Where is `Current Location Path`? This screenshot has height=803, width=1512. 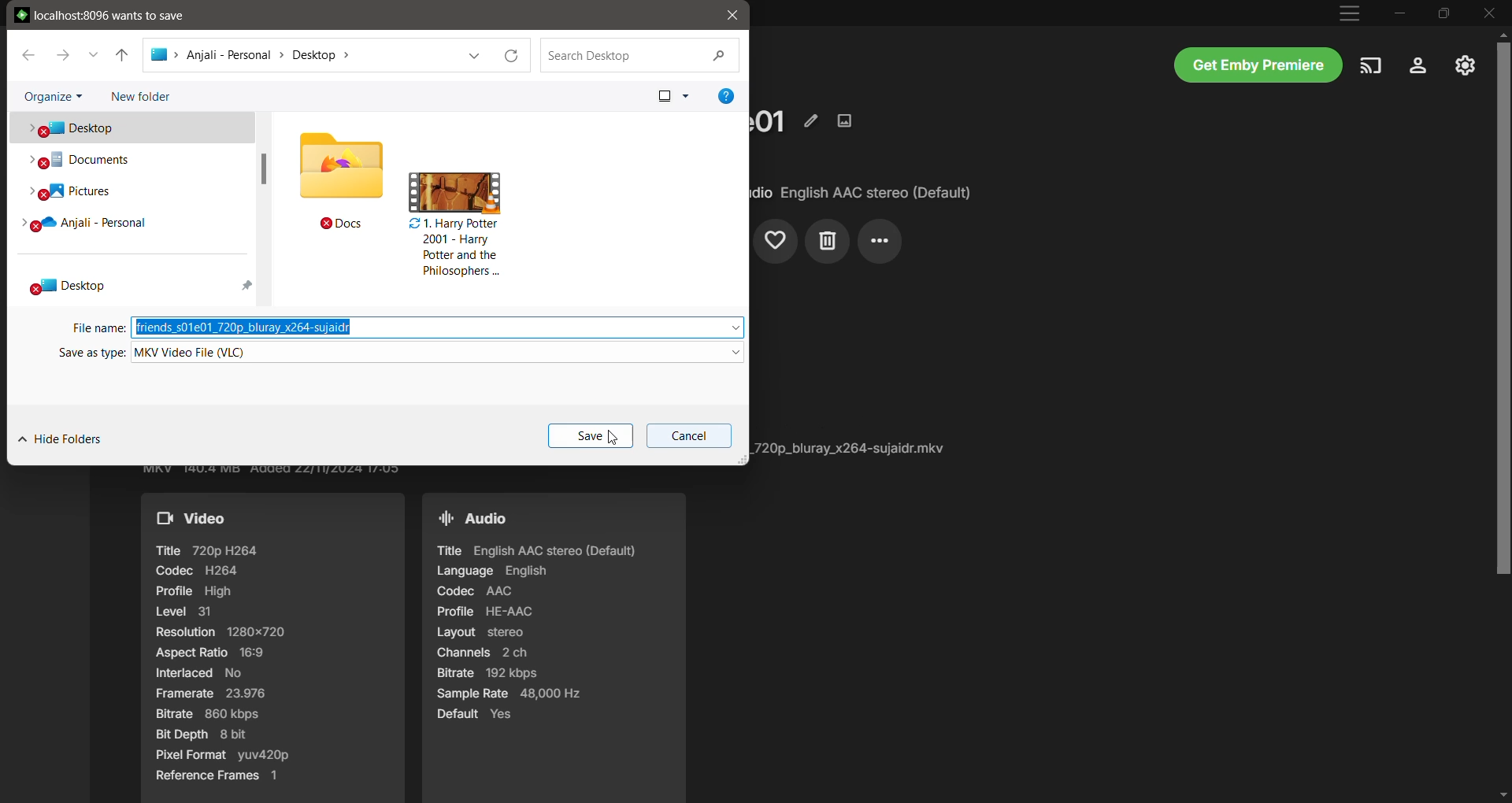
Current Location Path is located at coordinates (264, 54).